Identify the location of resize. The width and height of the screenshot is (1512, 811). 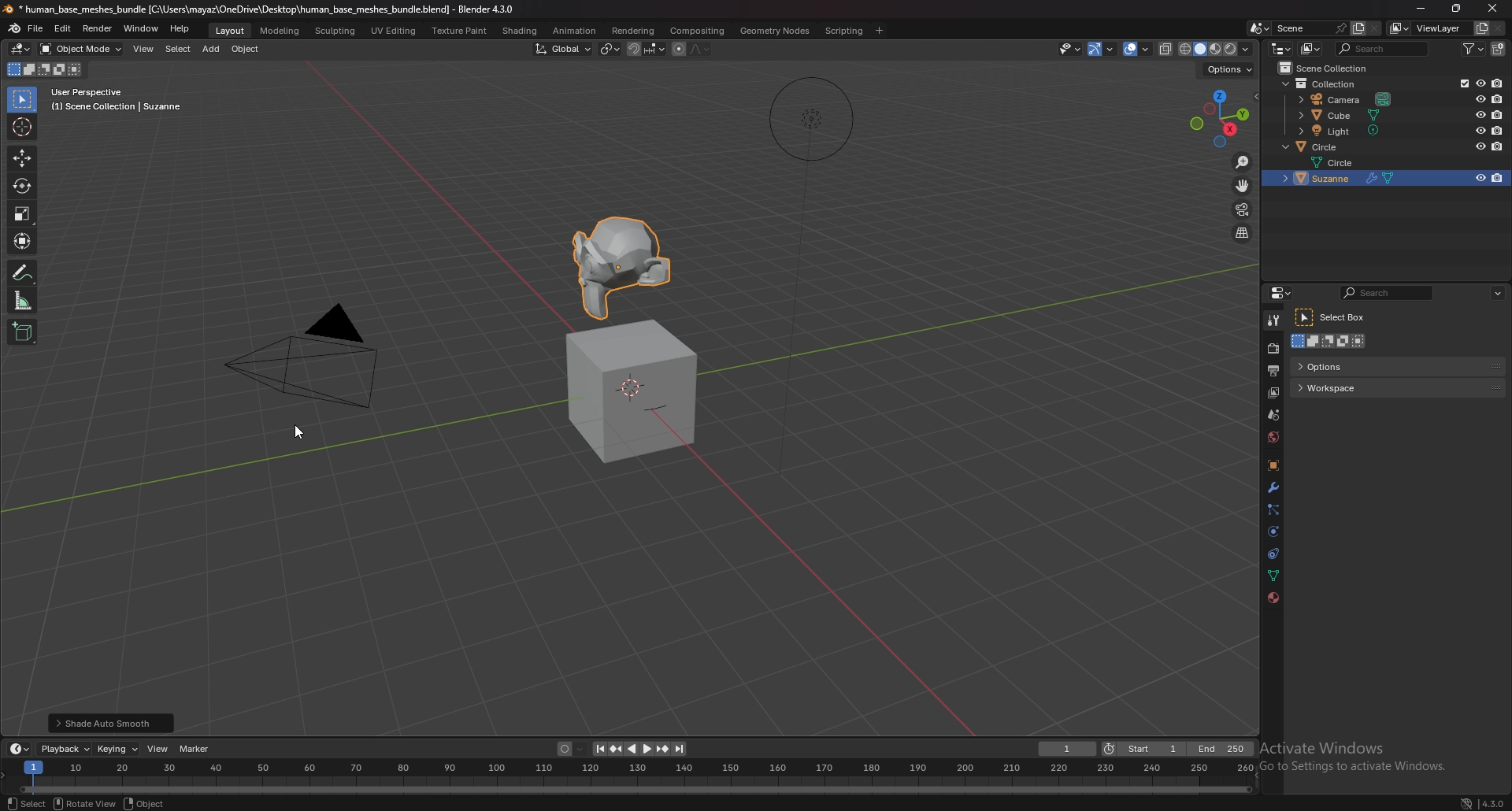
(1459, 9).